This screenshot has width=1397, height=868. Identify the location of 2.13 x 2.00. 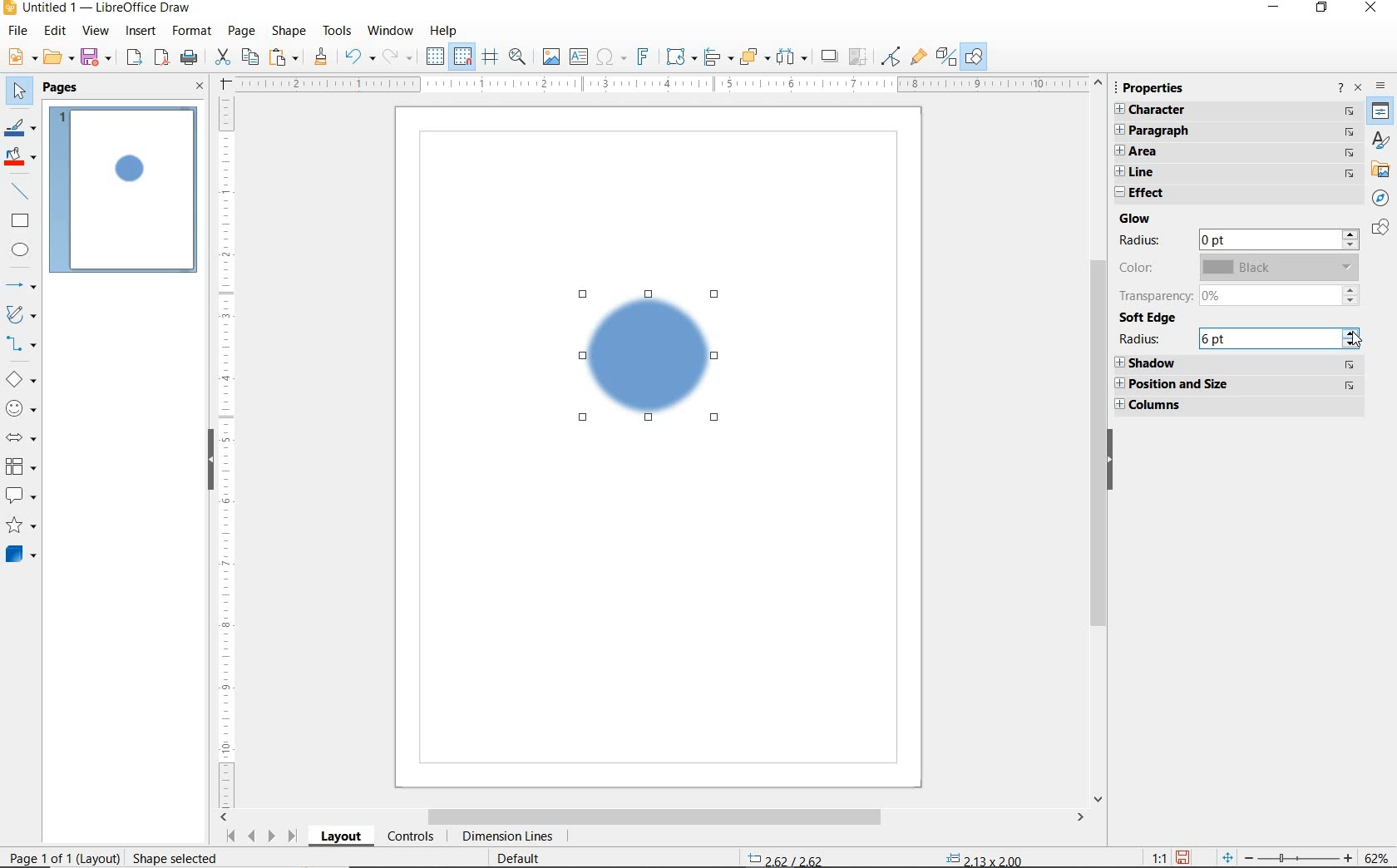
(984, 860).